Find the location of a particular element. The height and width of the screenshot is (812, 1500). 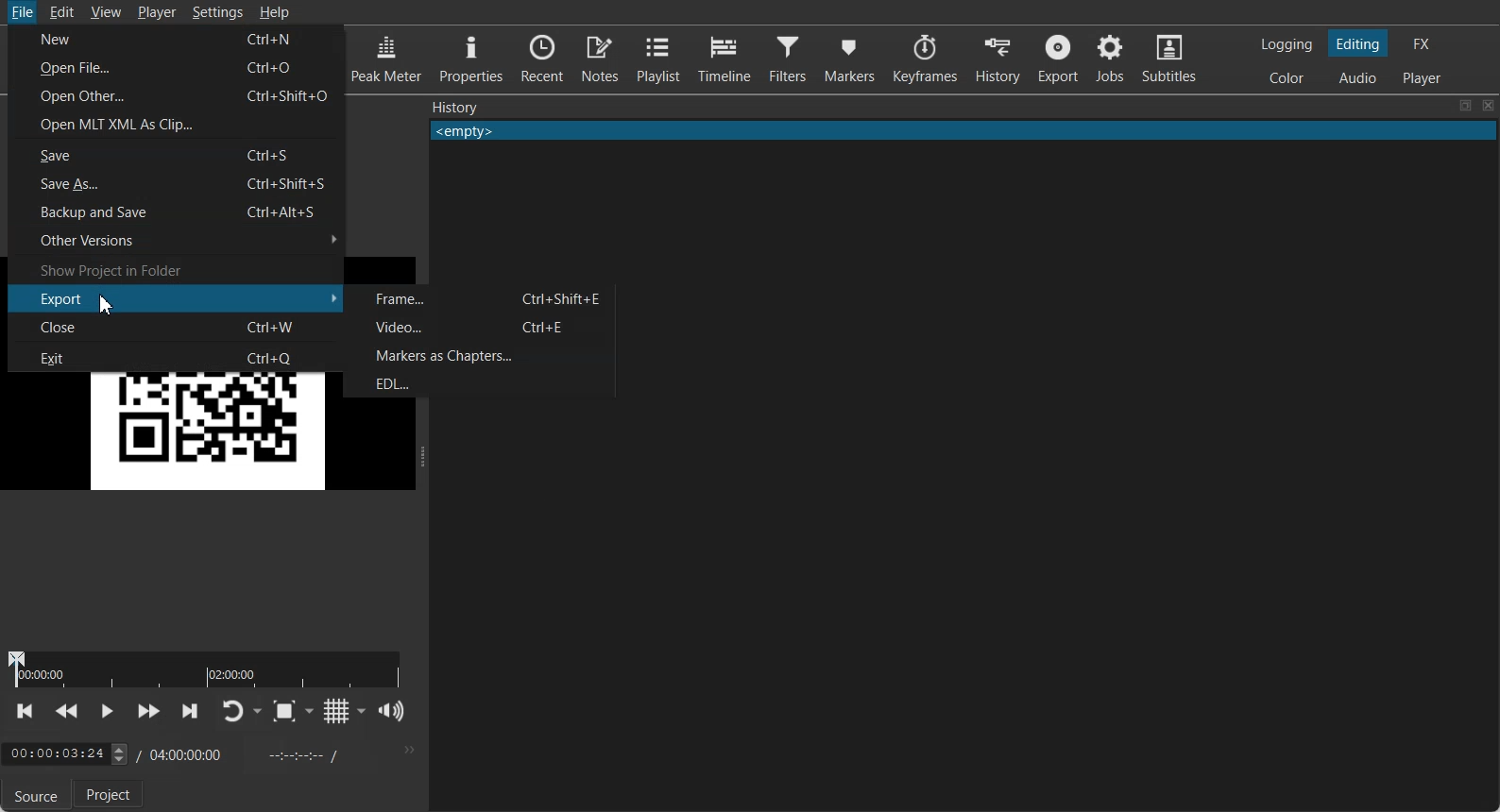

View is located at coordinates (107, 12).